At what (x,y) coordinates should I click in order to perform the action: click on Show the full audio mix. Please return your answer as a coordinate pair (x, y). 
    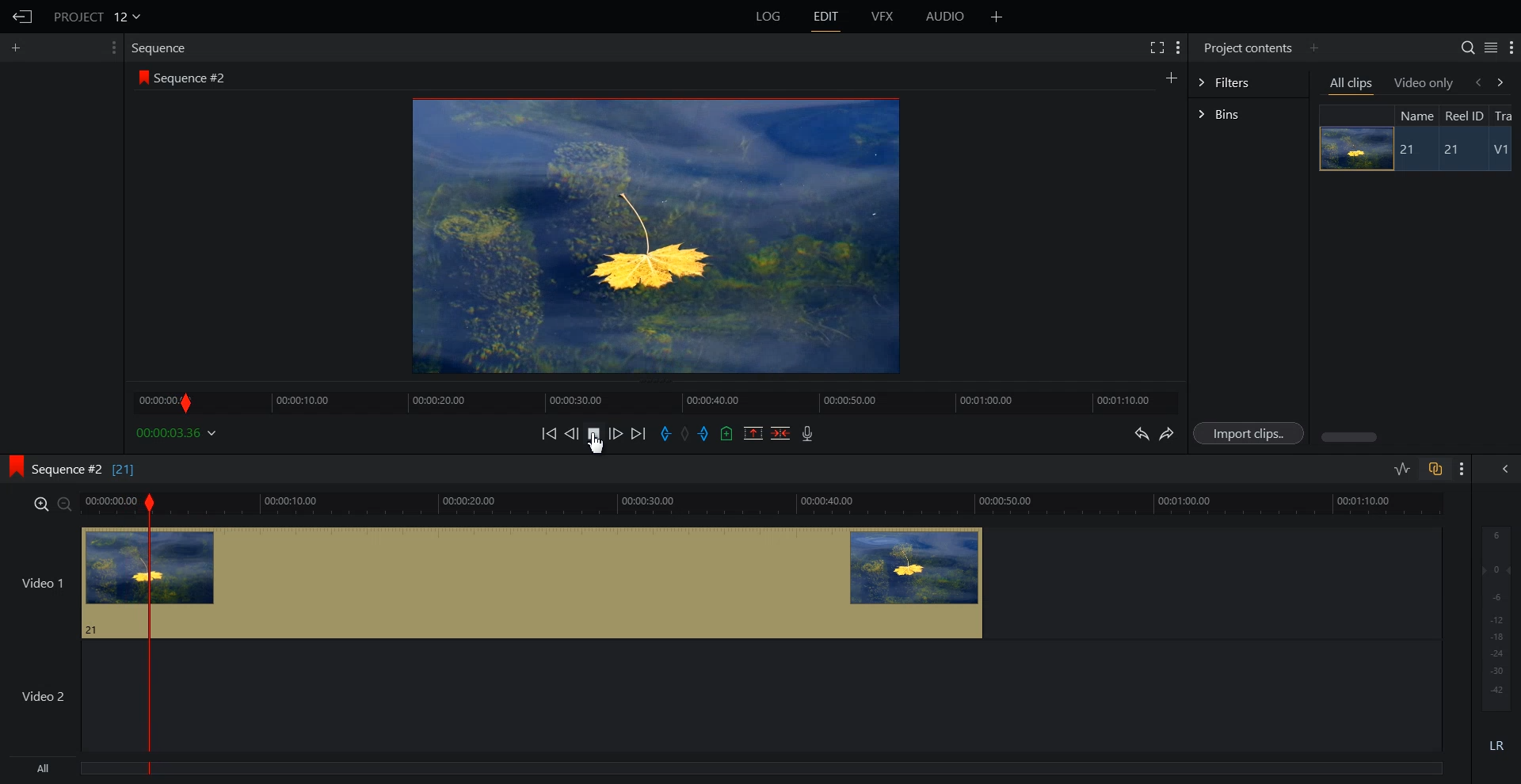
    Looking at the image, I should click on (1501, 469).